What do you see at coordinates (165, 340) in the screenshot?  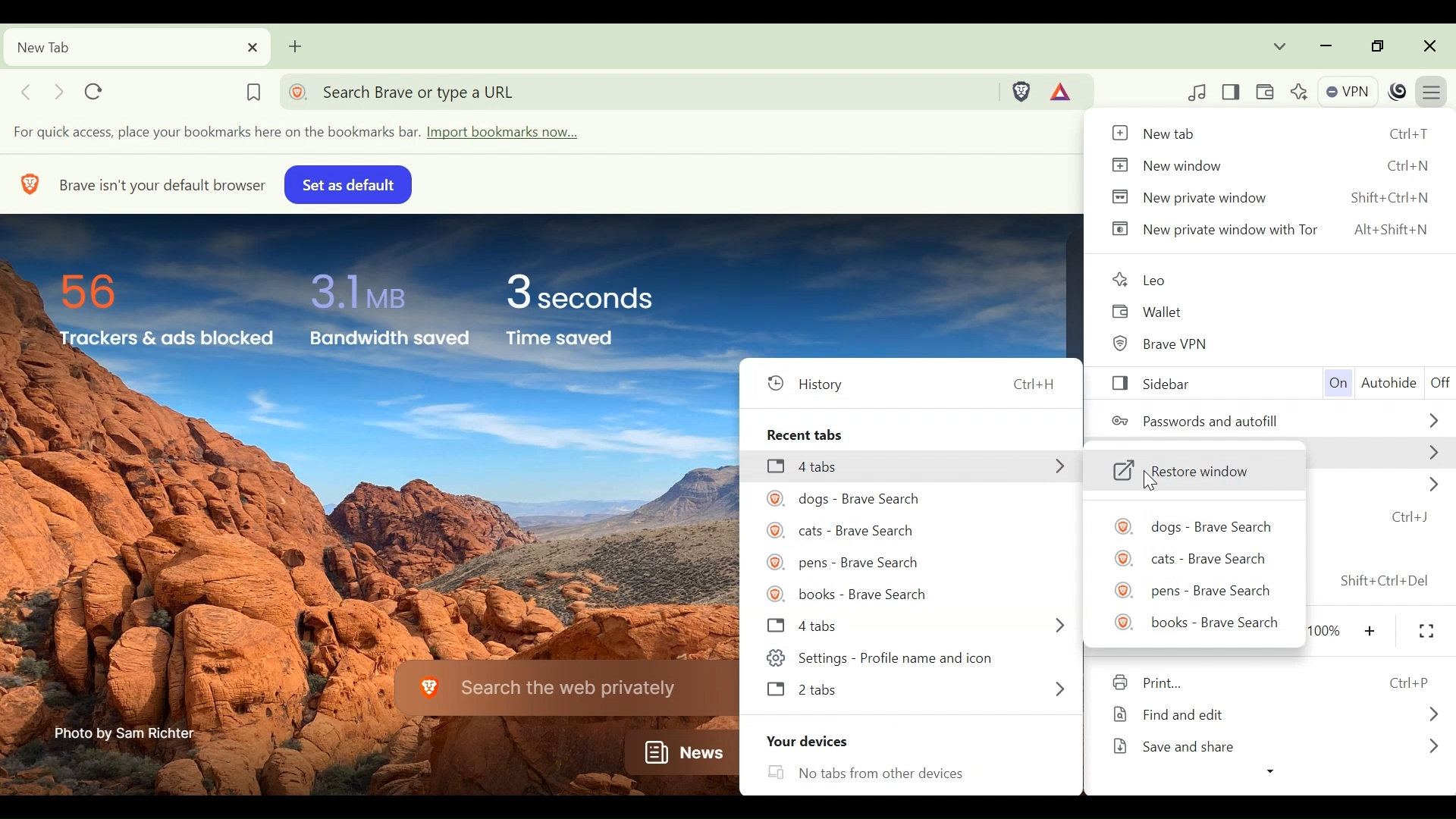 I see `Trackers & ads Blocked` at bounding box center [165, 340].